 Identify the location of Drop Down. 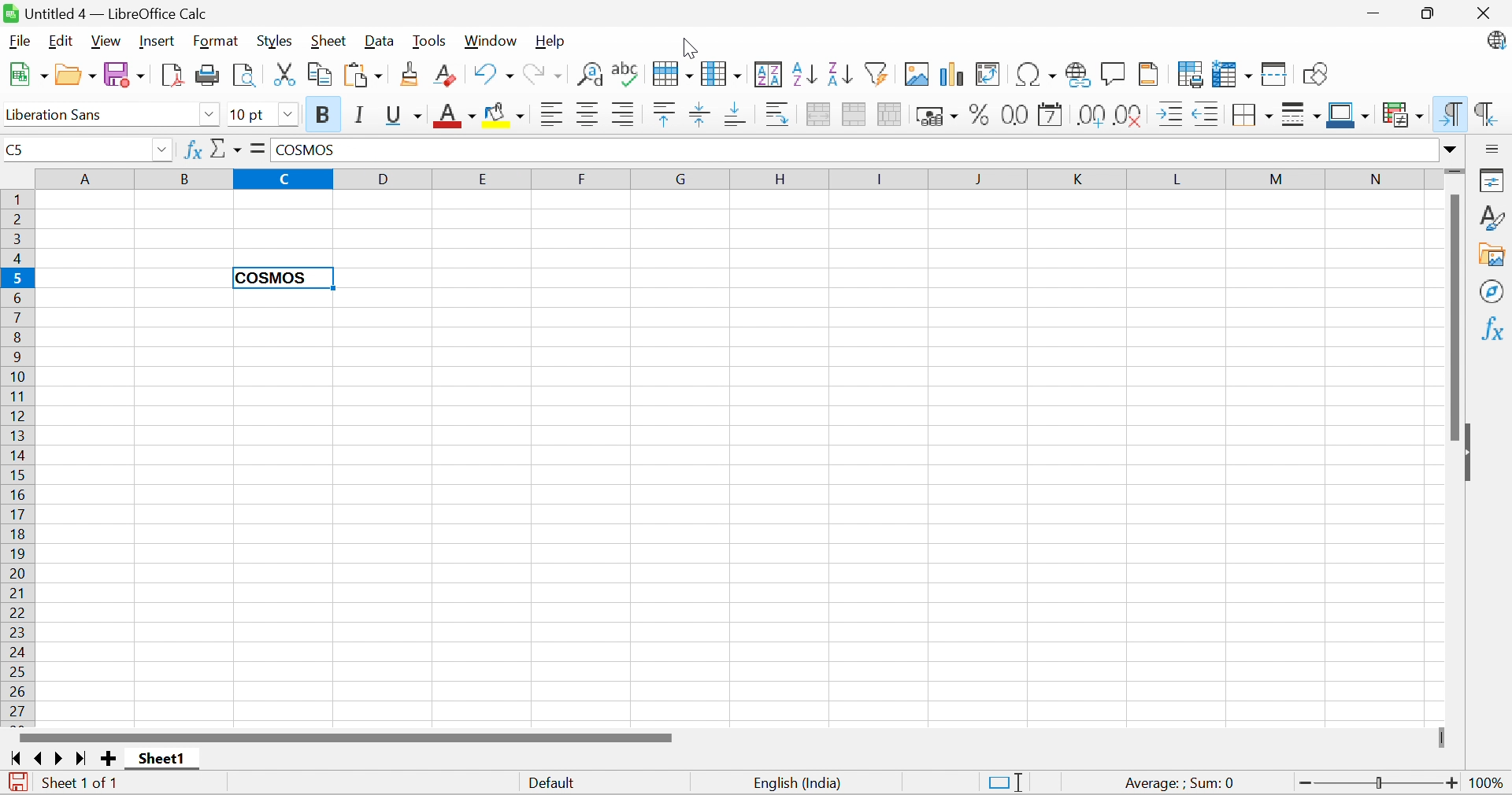
(164, 150).